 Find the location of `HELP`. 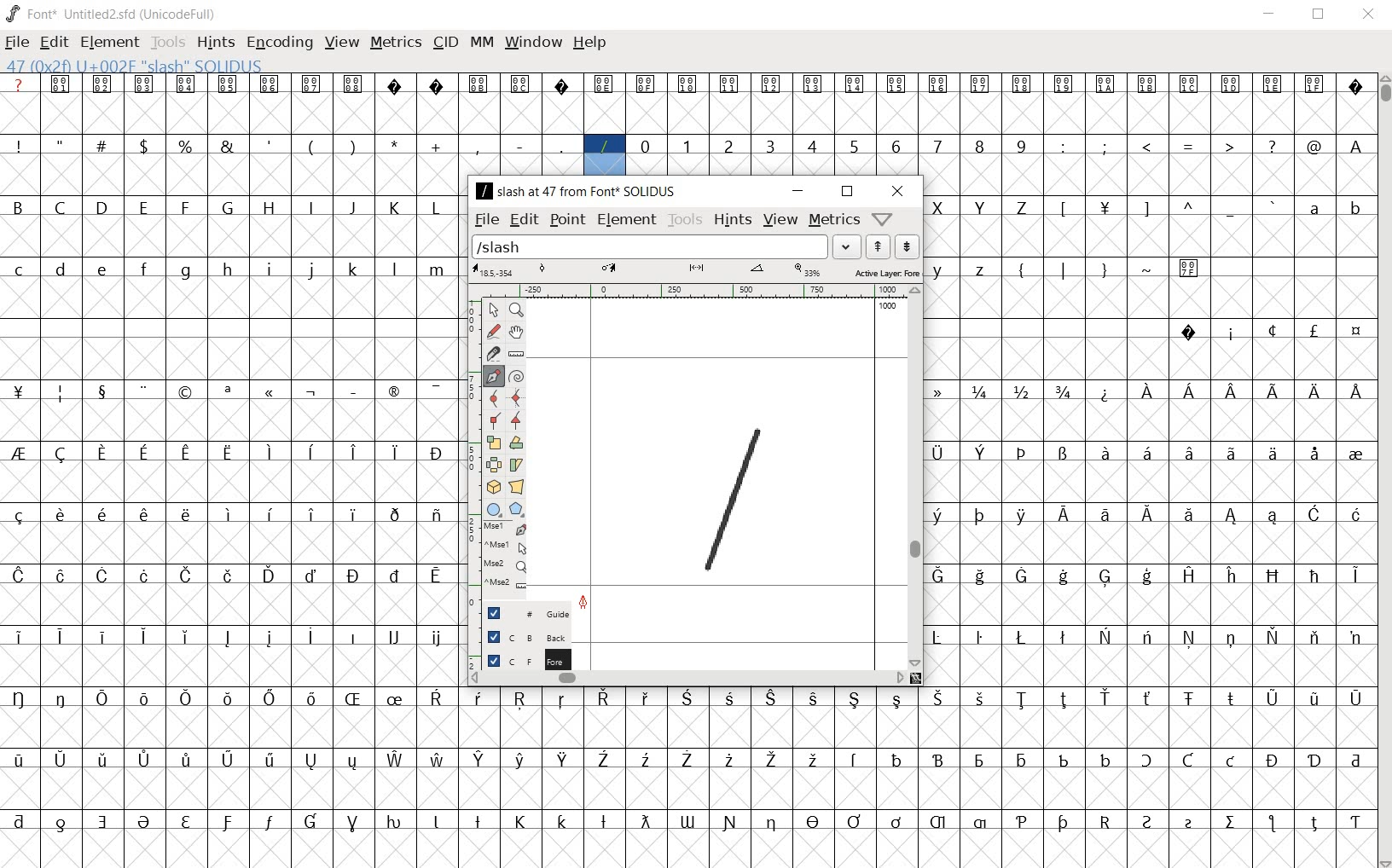

HELP is located at coordinates (590, 43).